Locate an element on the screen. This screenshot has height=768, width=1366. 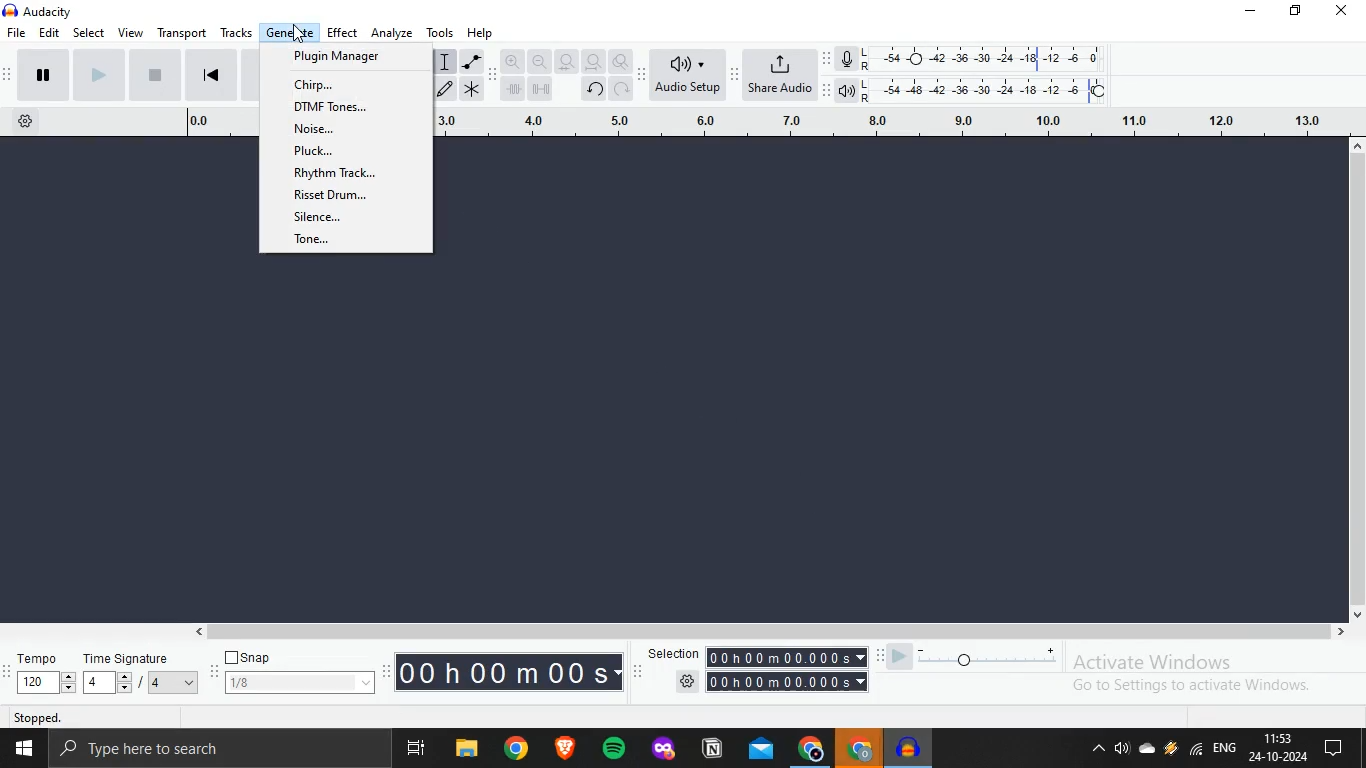
zoom Toogle is located at coordinates (624, 60).